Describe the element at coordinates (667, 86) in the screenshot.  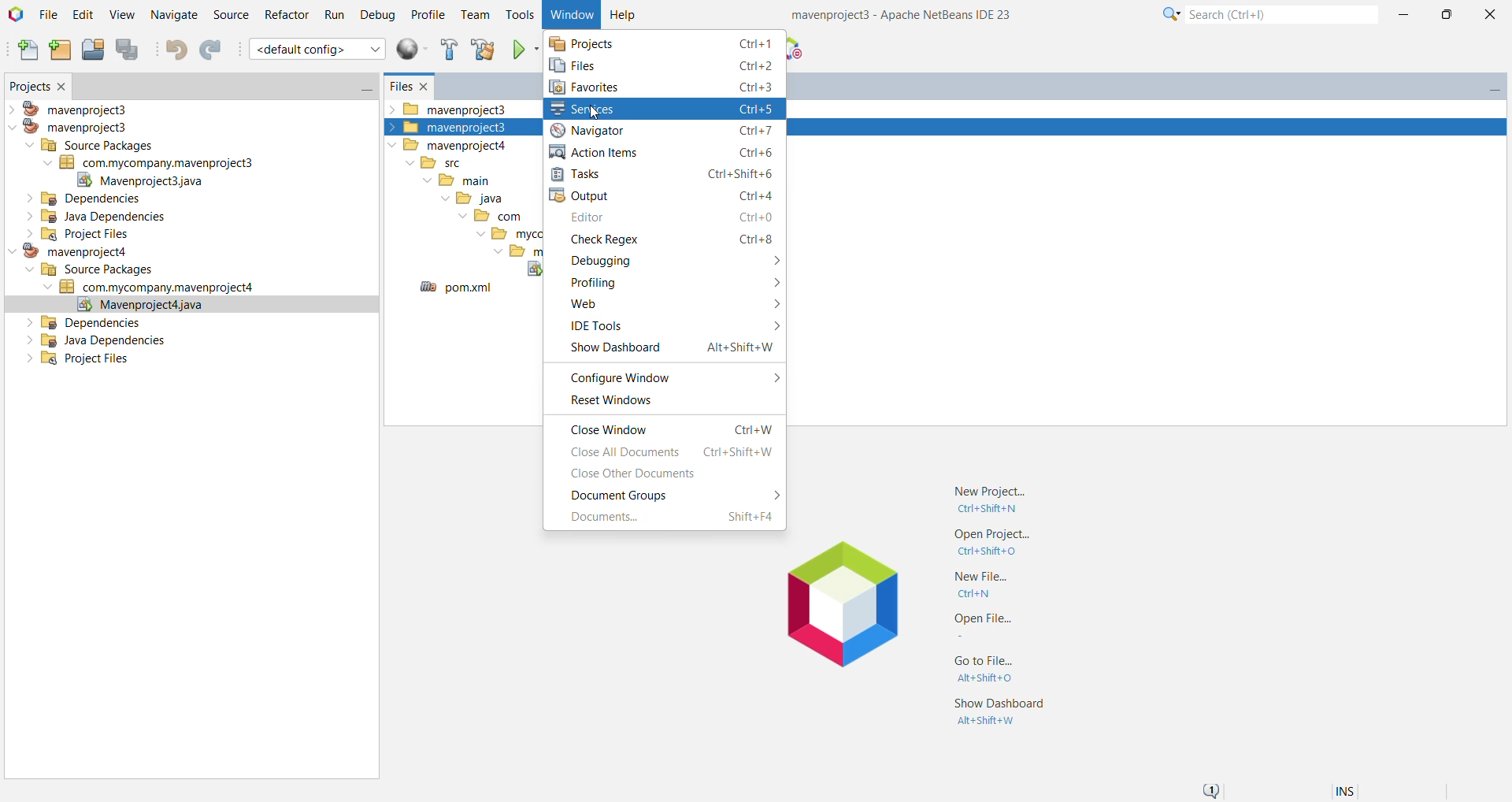
I see `Favorites` at that location.